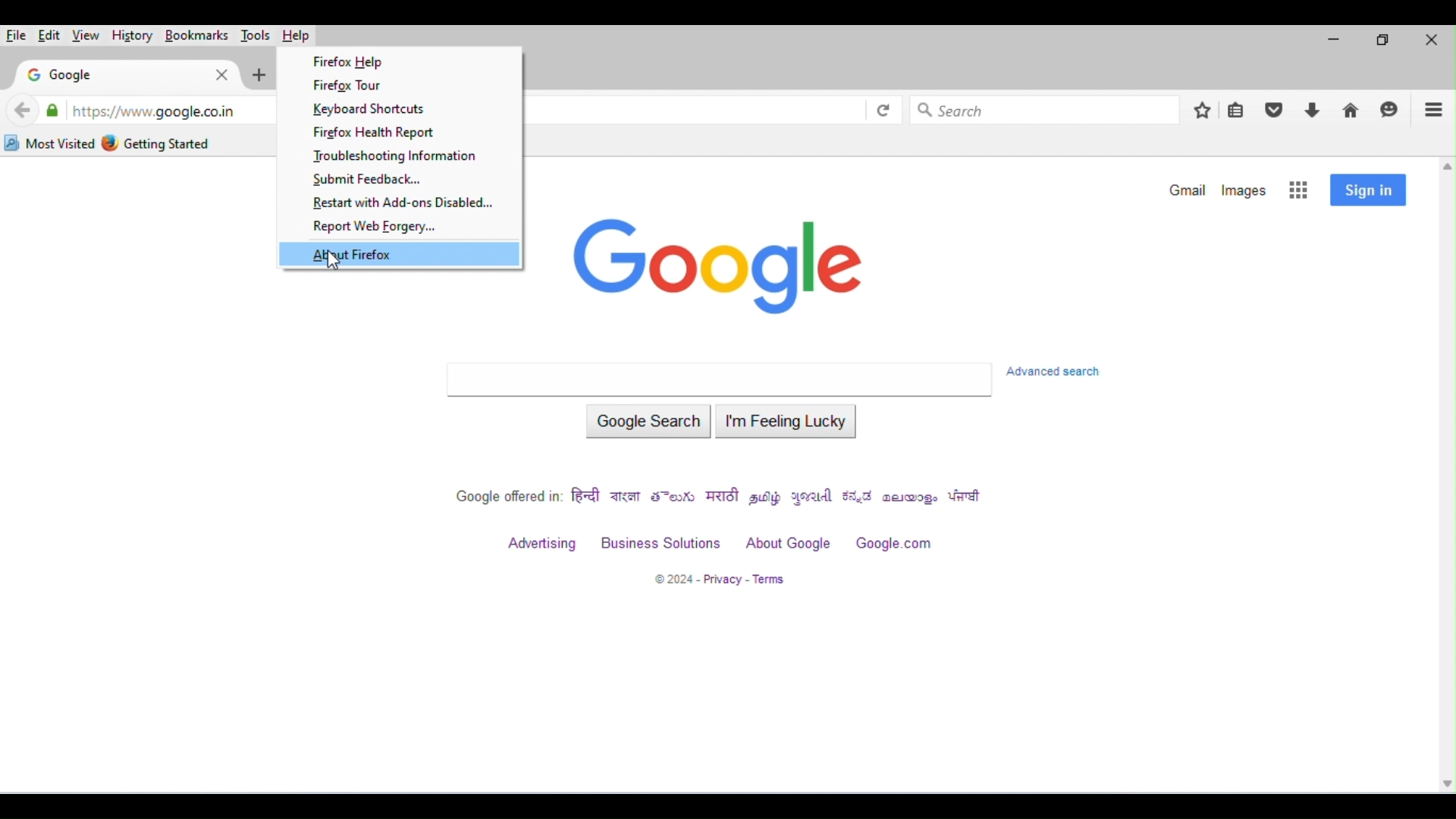 This screenshot has height=819, width=1456. Describe the element at coordinates (369, 178) in the screenshot. I see `submit feedback` at that location.